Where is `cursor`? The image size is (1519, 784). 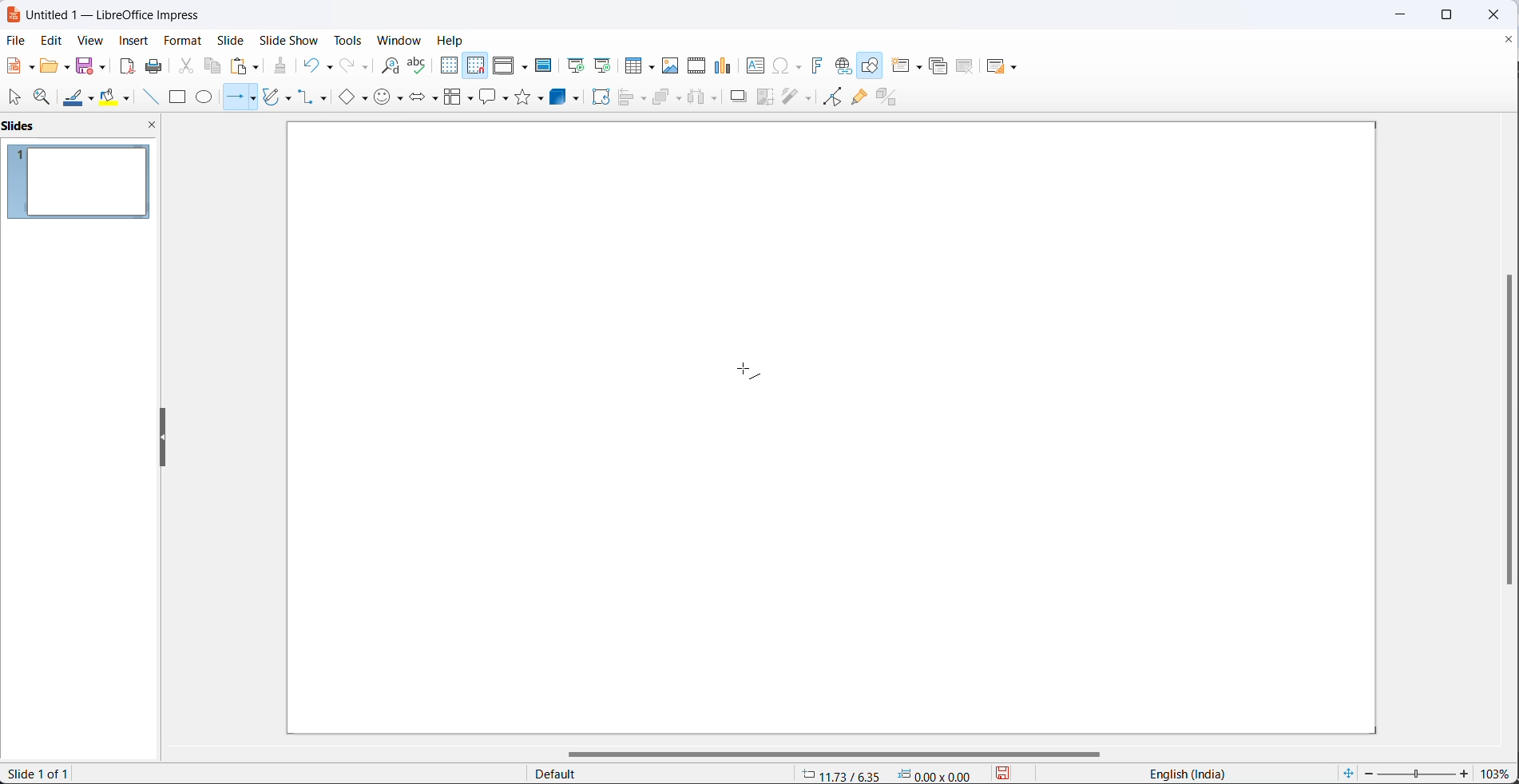
cursor is located at coordinates (748, 370).